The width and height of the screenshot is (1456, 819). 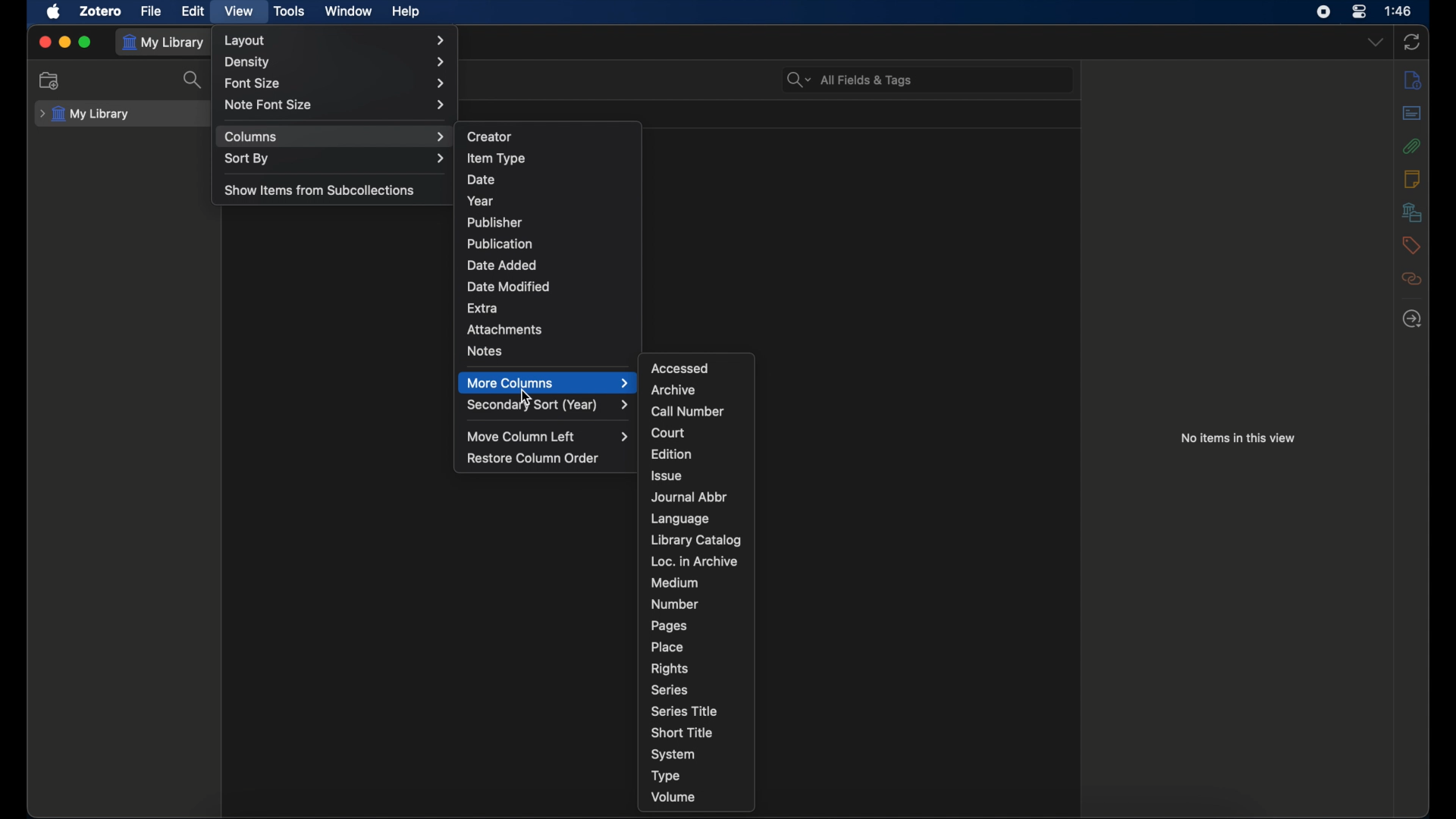 I want to click on zotero, so click(x=99, y=11).